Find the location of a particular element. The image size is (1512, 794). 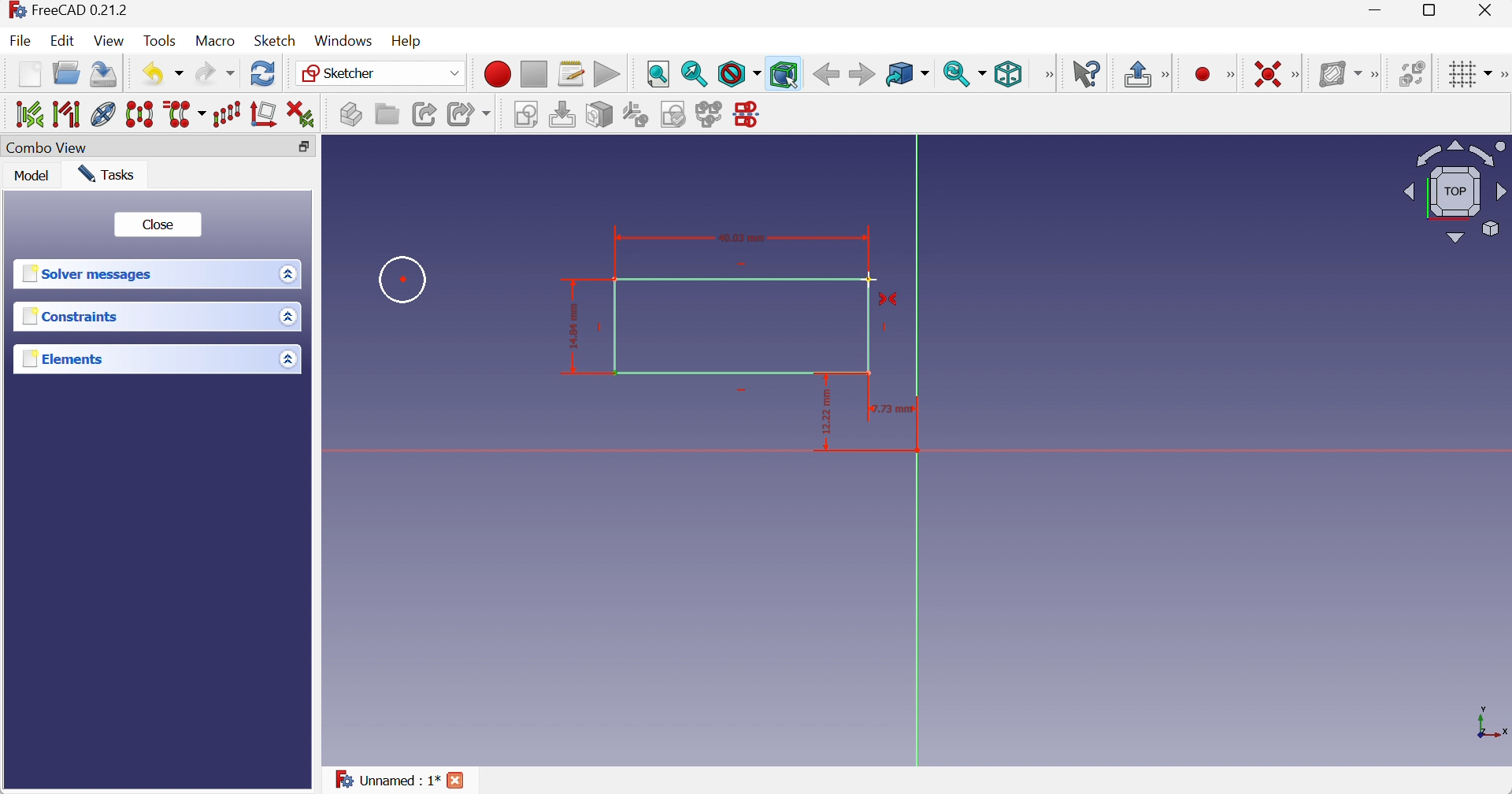

Macro is located at coordinates (213, 41).